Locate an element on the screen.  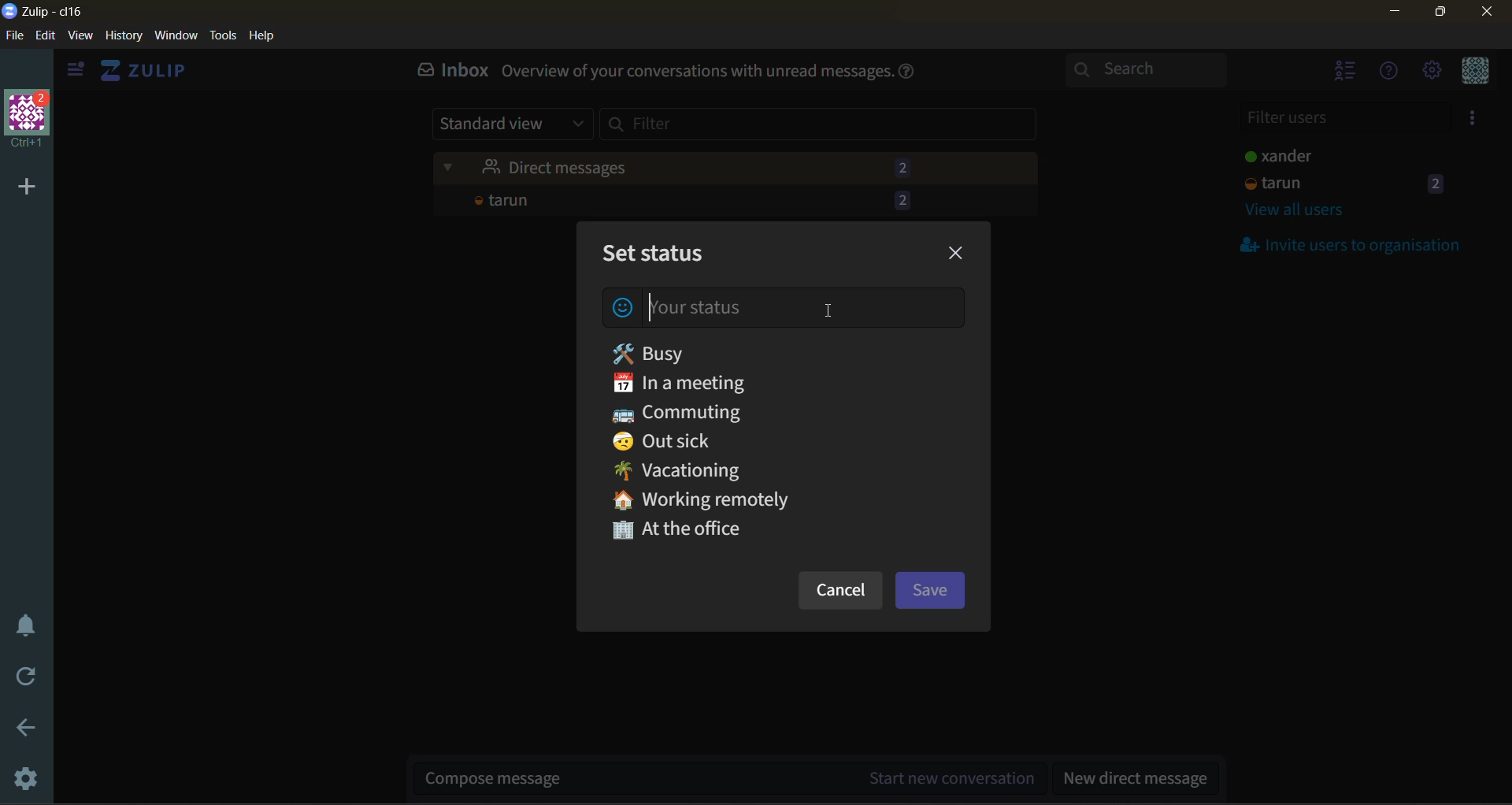
In a meeting is located at coordinates (732, 380).